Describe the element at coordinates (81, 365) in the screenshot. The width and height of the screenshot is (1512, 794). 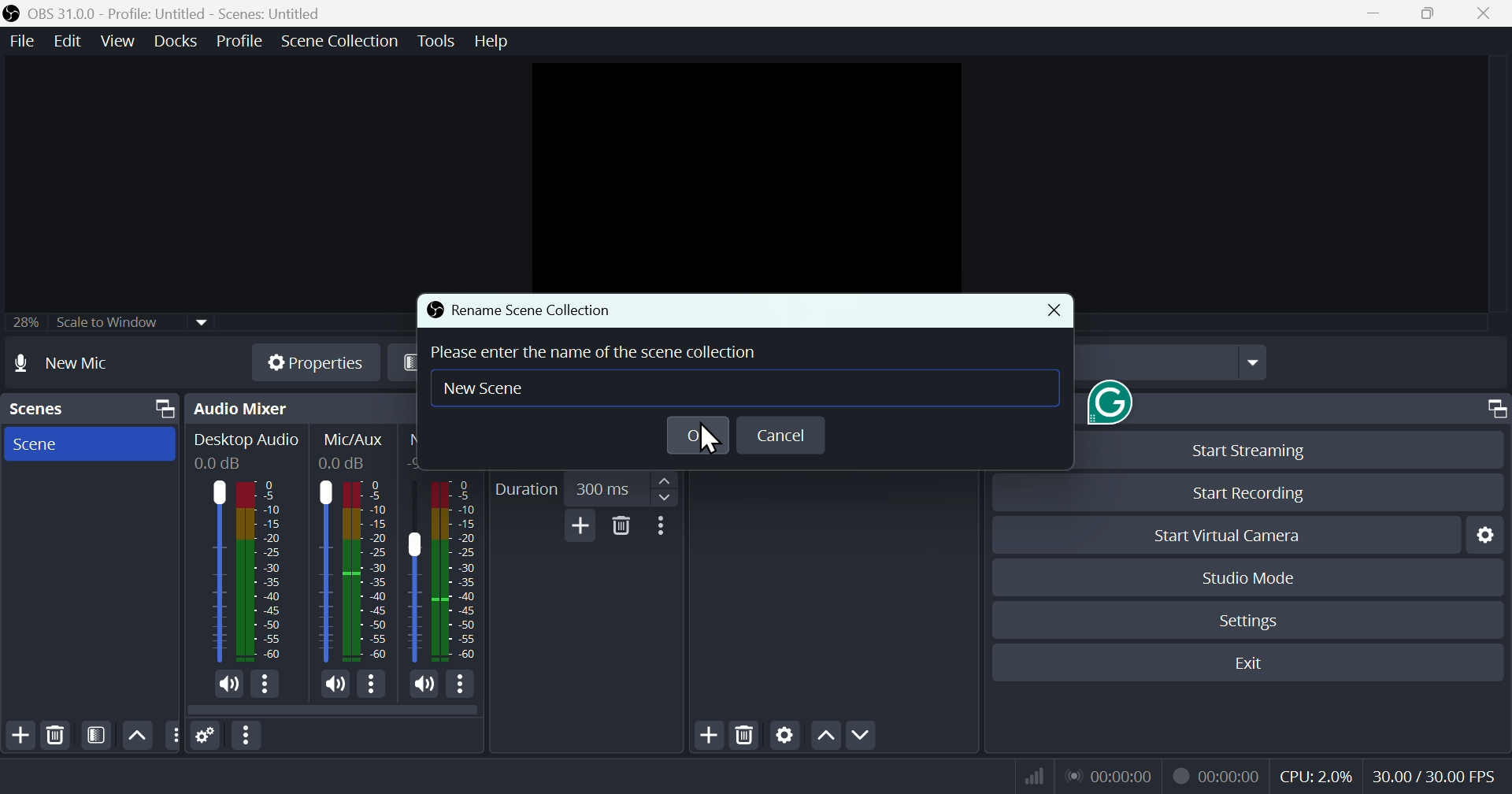
I see `New mic` at that location.